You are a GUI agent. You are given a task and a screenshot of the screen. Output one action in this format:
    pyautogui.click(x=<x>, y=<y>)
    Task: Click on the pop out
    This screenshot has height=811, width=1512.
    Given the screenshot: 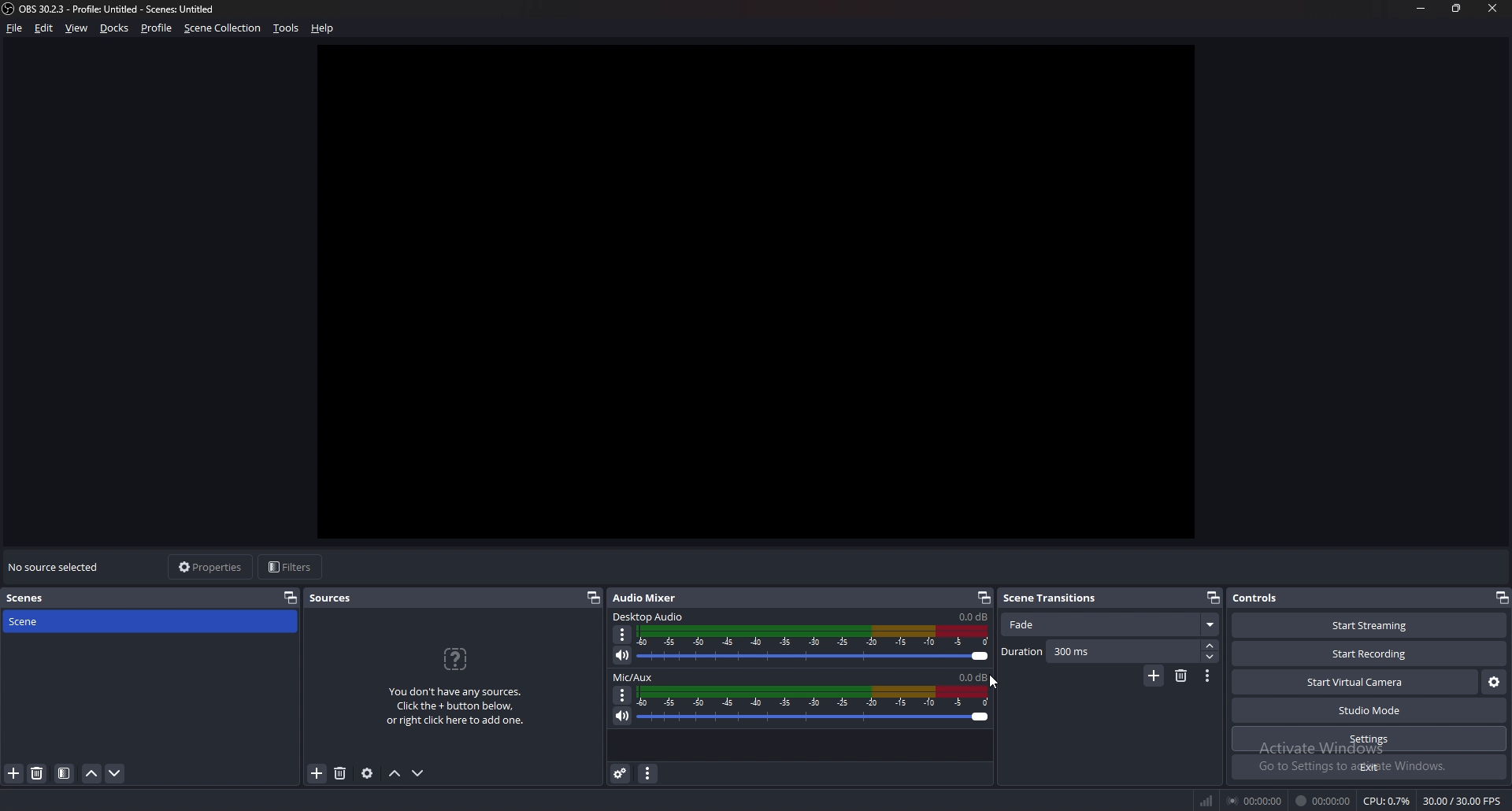 What is the action you would take?
    pyautogui.click(x=291, y=597)
    